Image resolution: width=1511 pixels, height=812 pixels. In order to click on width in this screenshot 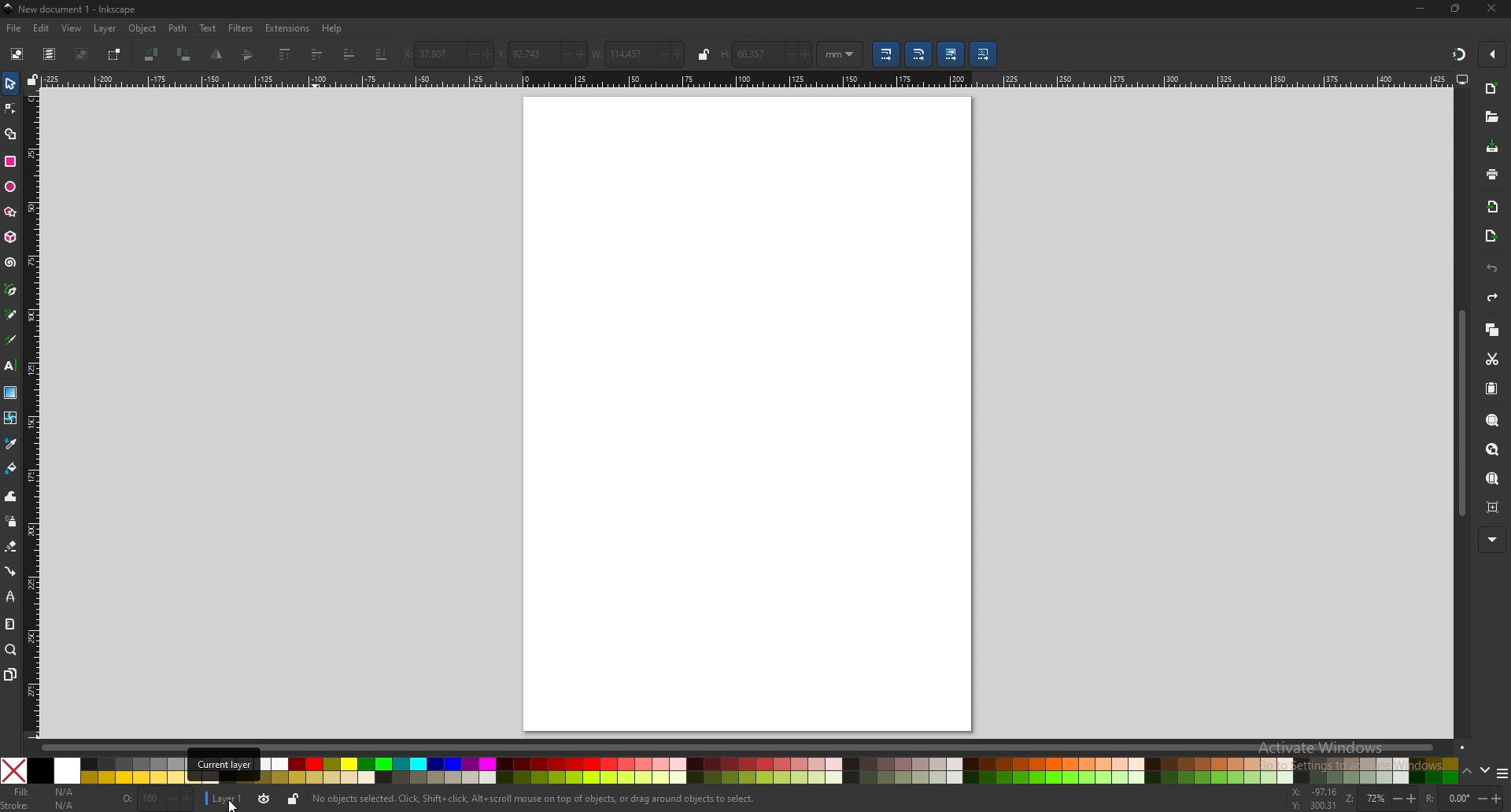, I will do `click(619, 55)`.